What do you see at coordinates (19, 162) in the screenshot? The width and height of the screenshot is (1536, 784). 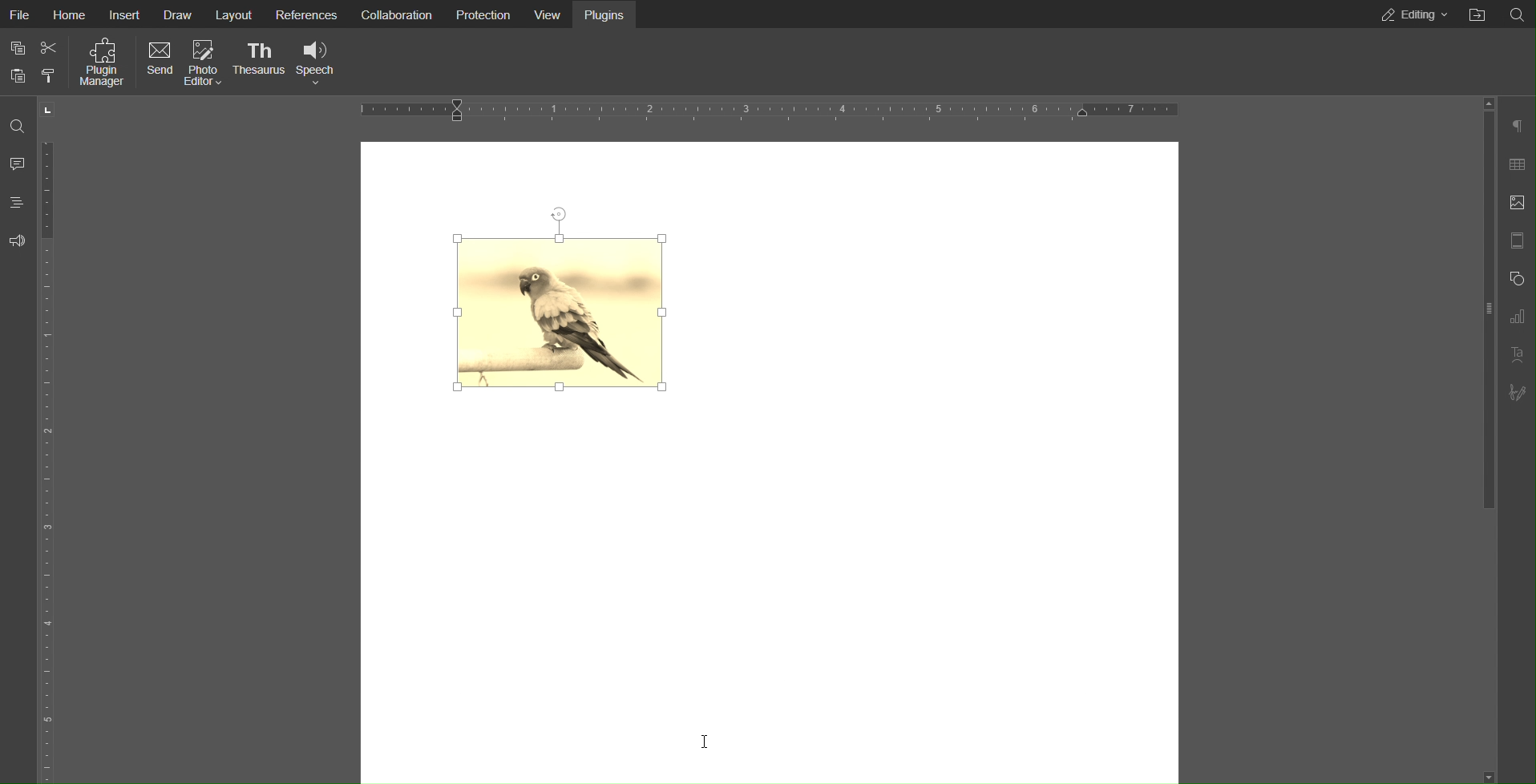 I see `Comments` at bounding box center [19, 162].